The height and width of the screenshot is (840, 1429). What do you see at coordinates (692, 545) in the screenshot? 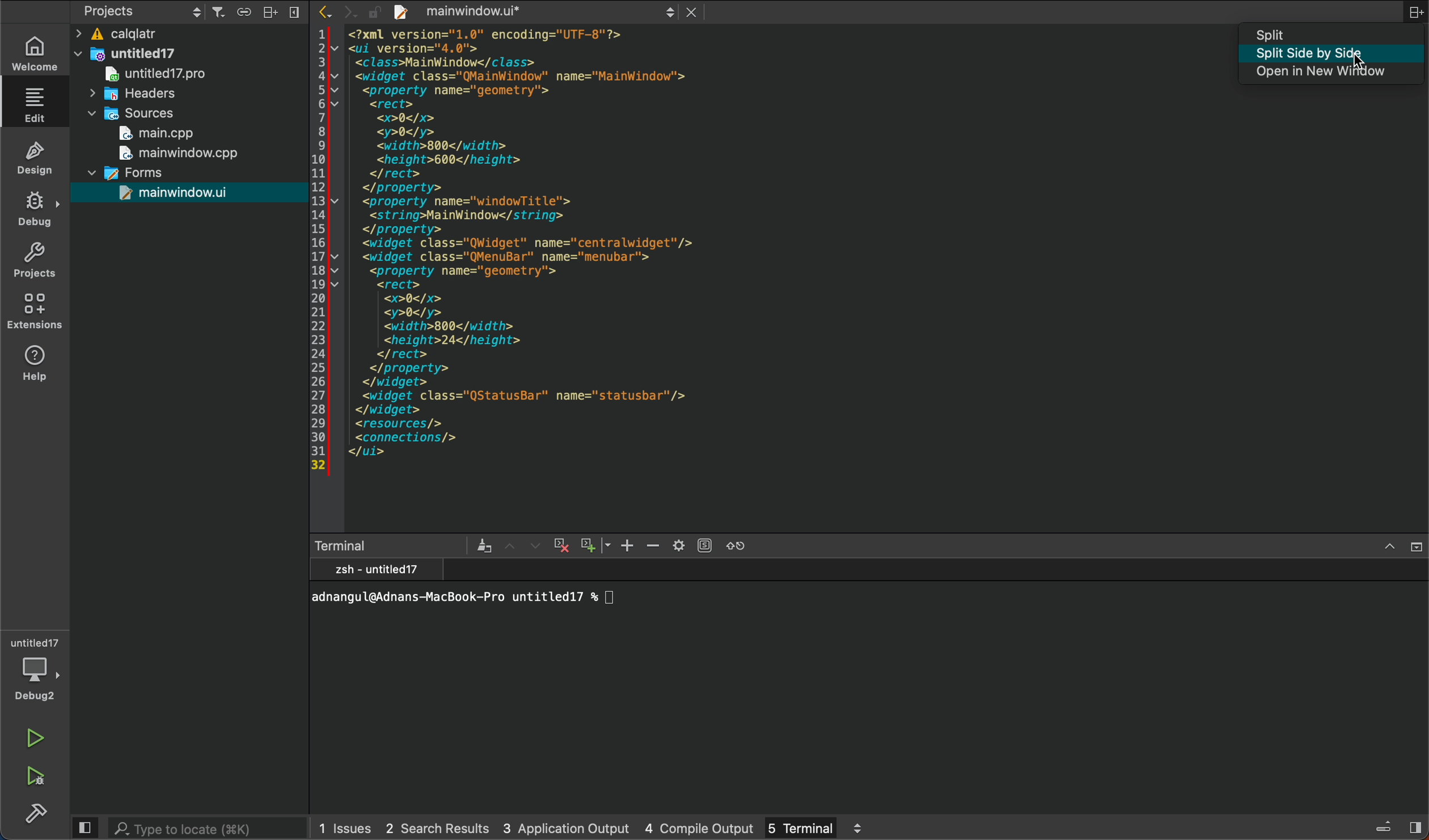
I see `setting` at bounding box center [692, 545].